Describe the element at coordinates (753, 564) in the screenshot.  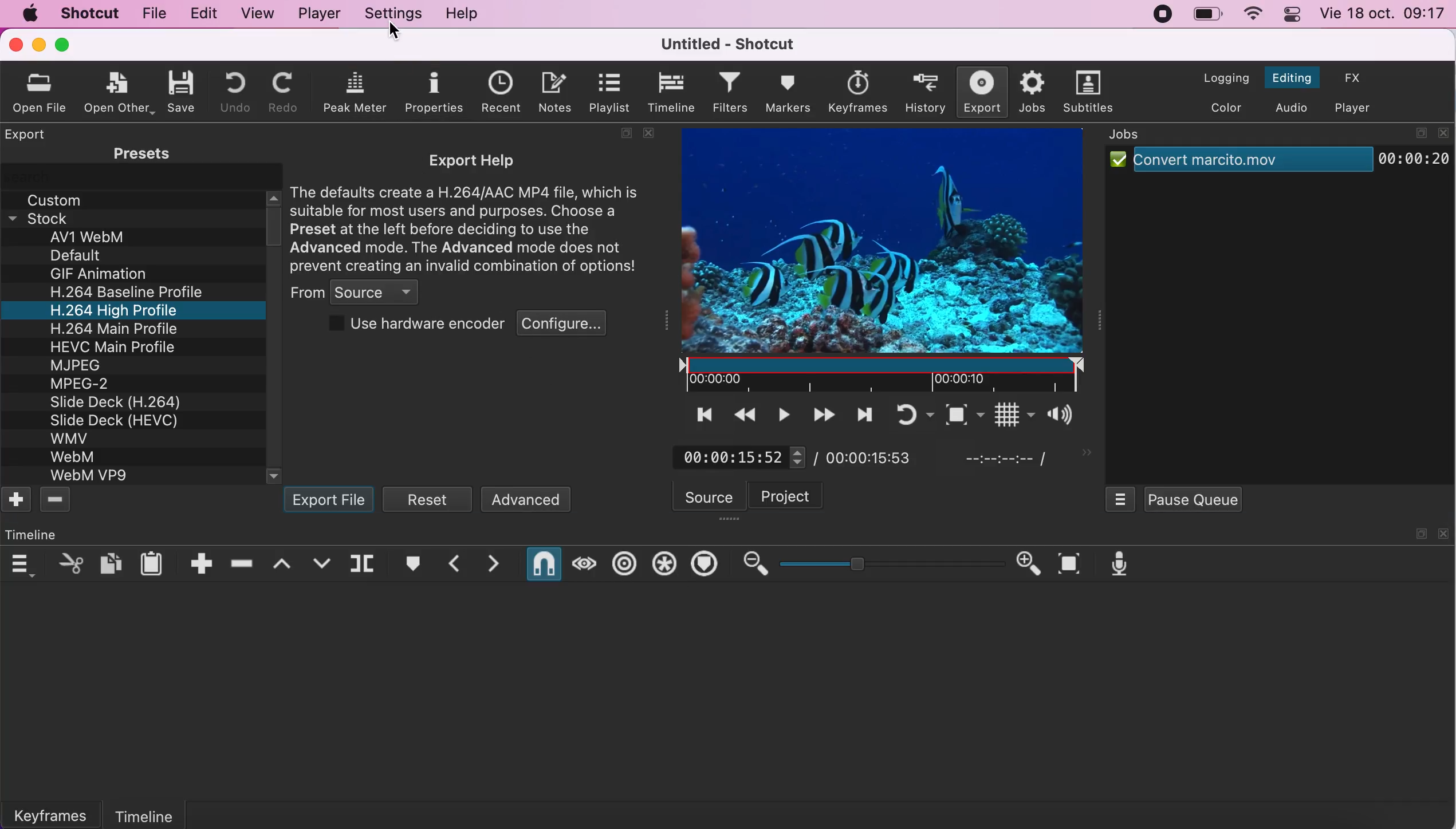
I see `zoom out` at that location.